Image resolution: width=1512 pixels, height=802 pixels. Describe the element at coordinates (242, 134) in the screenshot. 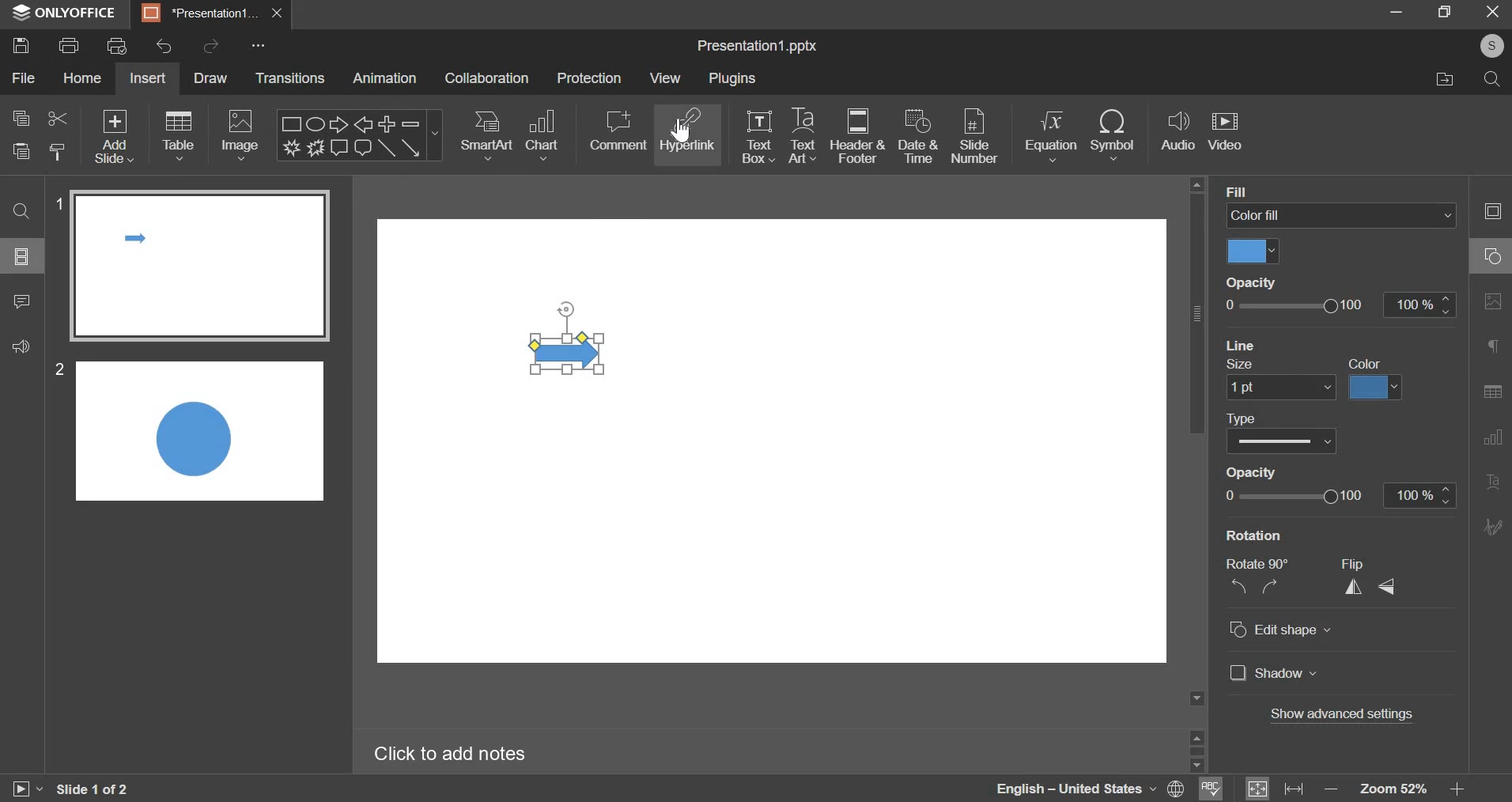

I see `image` at that location.